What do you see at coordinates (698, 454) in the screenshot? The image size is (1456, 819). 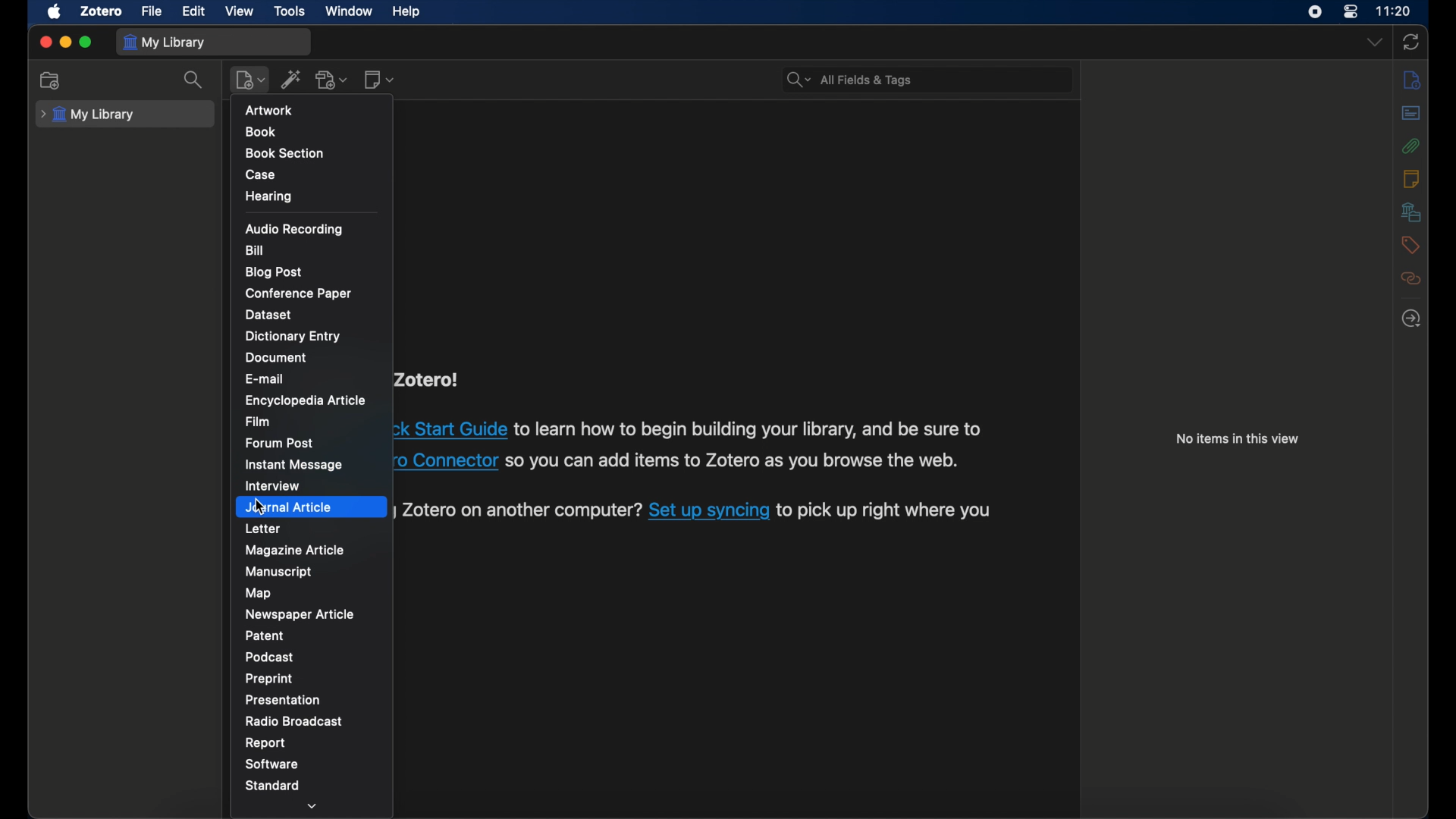 I see `Zotero!
ck Start Guide to learn how to begin building your library, and be sure to
0 Connector so you can add items to Zotero as you browse the web.

J | Zotero on another computer? Set up syncing to pick up right where you` at bounding box center [698, 454].